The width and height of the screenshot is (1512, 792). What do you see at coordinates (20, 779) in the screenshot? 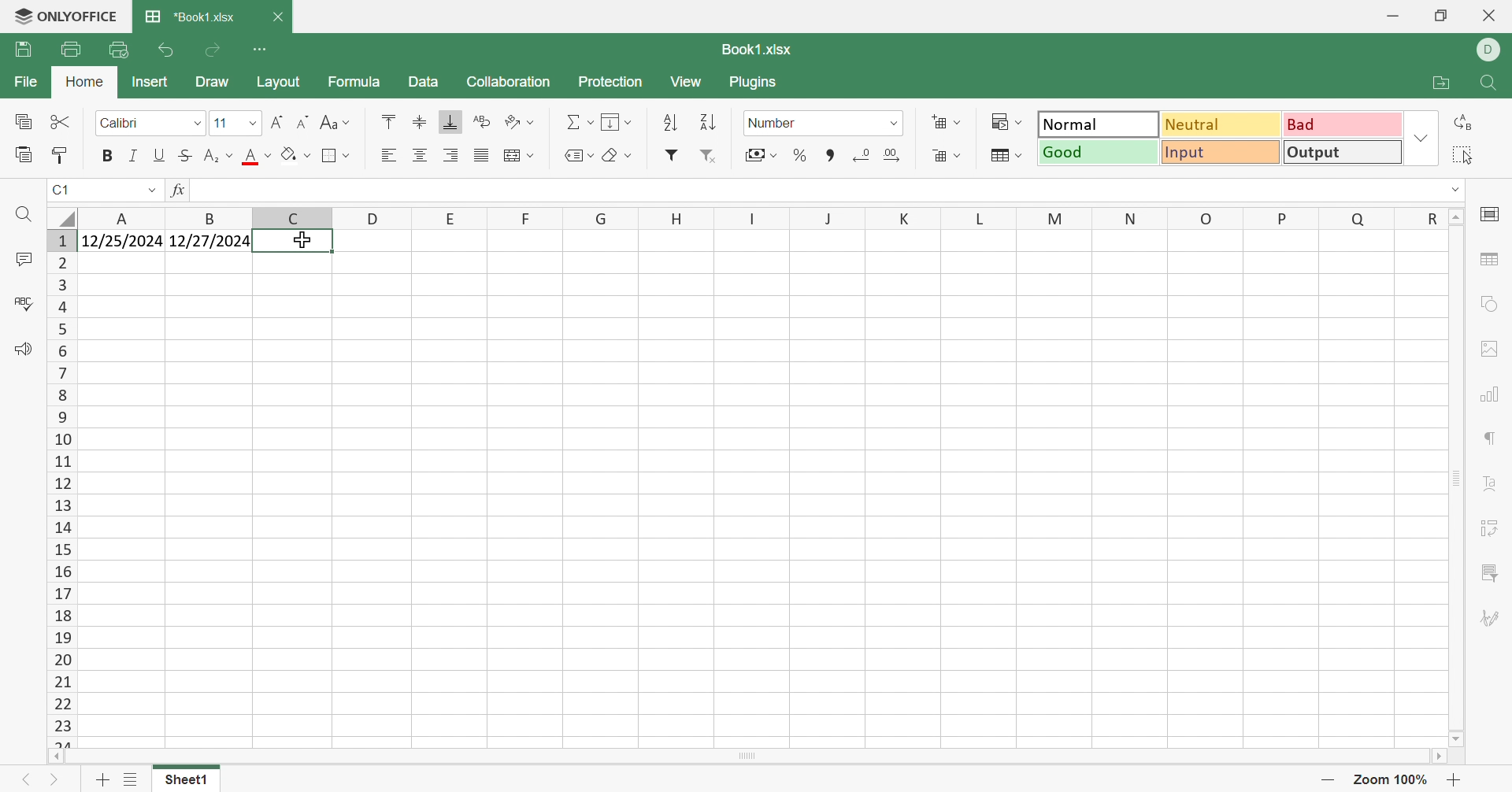
I see `Previous` at bounding box center [20, 779].